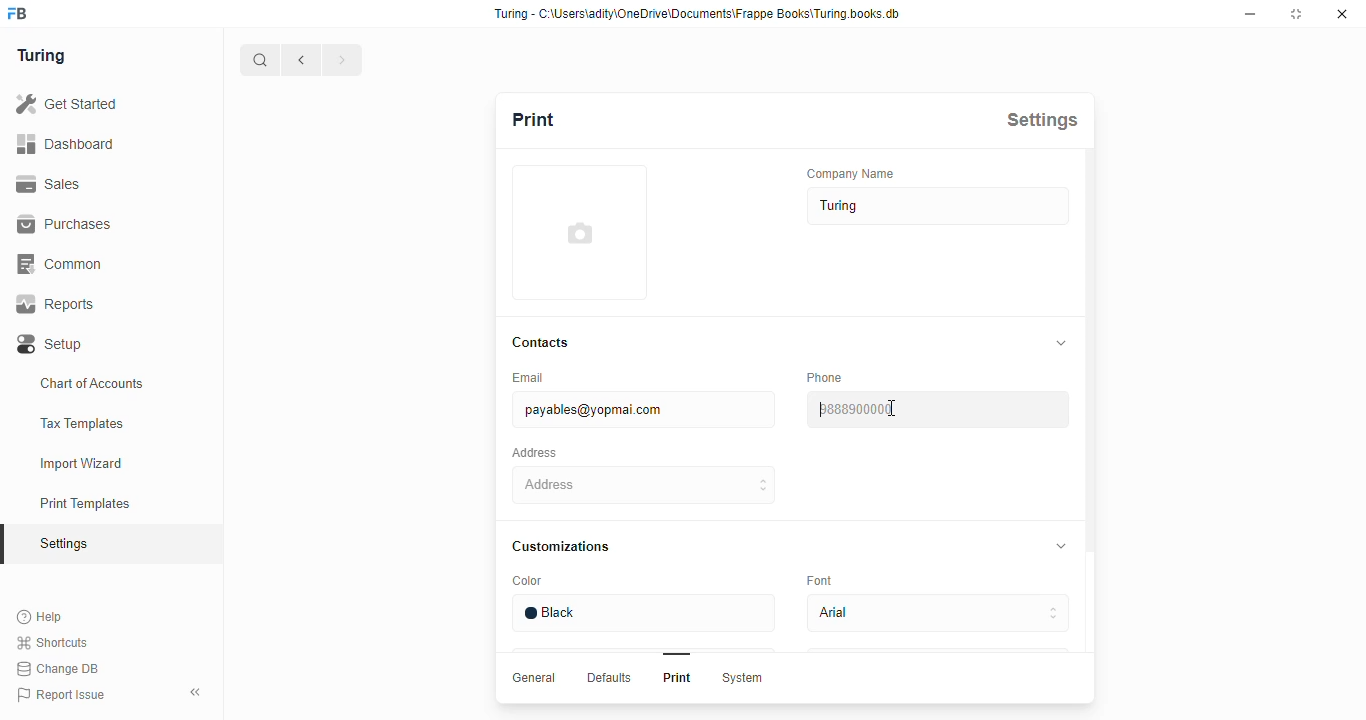  Describe the element at coordinates (638, 486) in the screenshot. I see `Address` at that location.